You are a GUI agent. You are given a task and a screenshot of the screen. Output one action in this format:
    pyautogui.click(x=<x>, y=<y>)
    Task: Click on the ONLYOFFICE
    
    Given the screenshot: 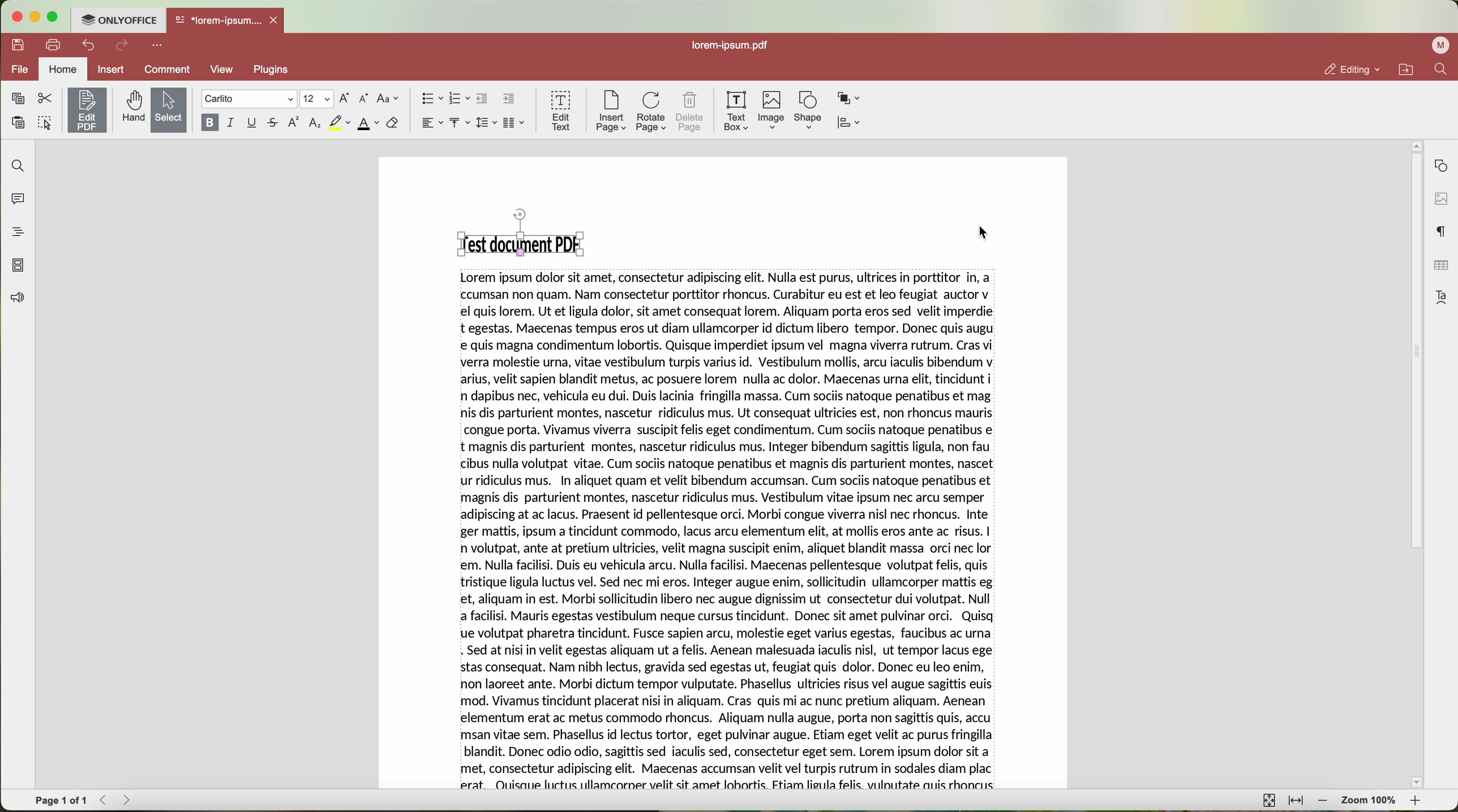 What is the action you would take?
    pyautogui.click(x=121, y=20)
    